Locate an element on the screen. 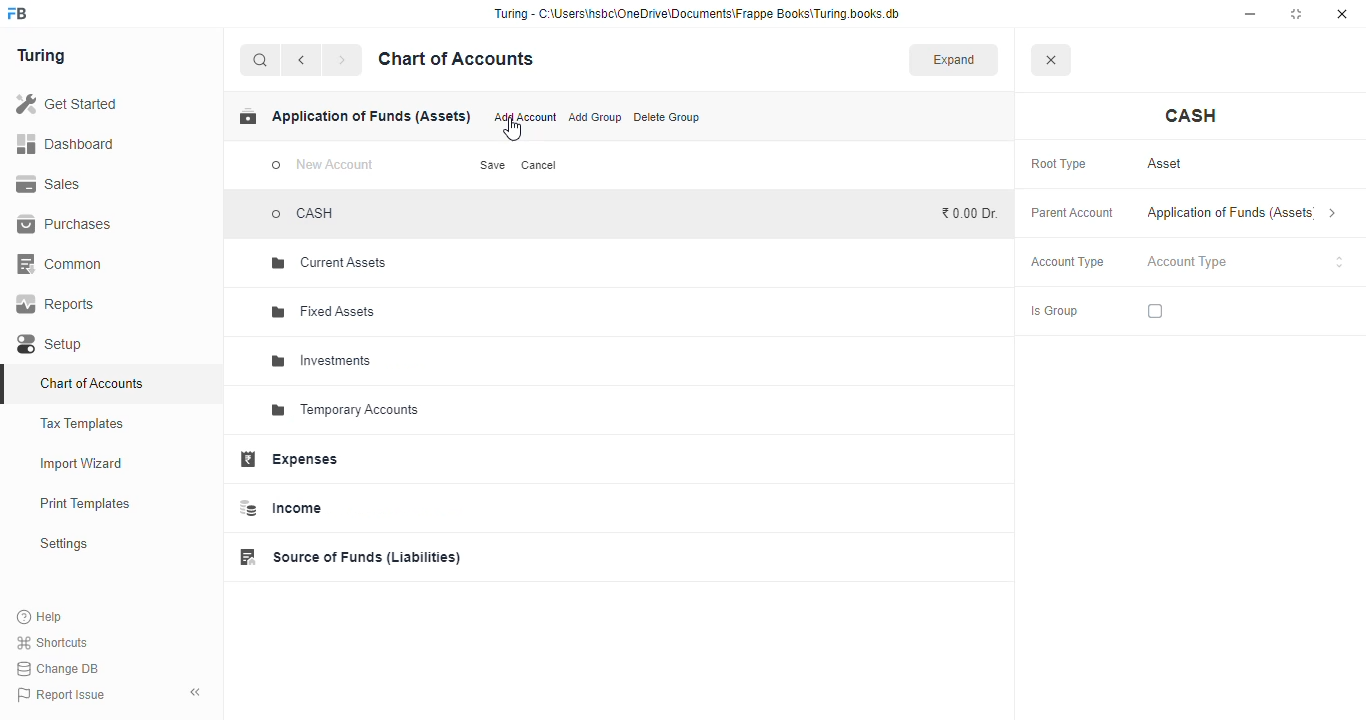  settings is located at coordinates (63, 543).